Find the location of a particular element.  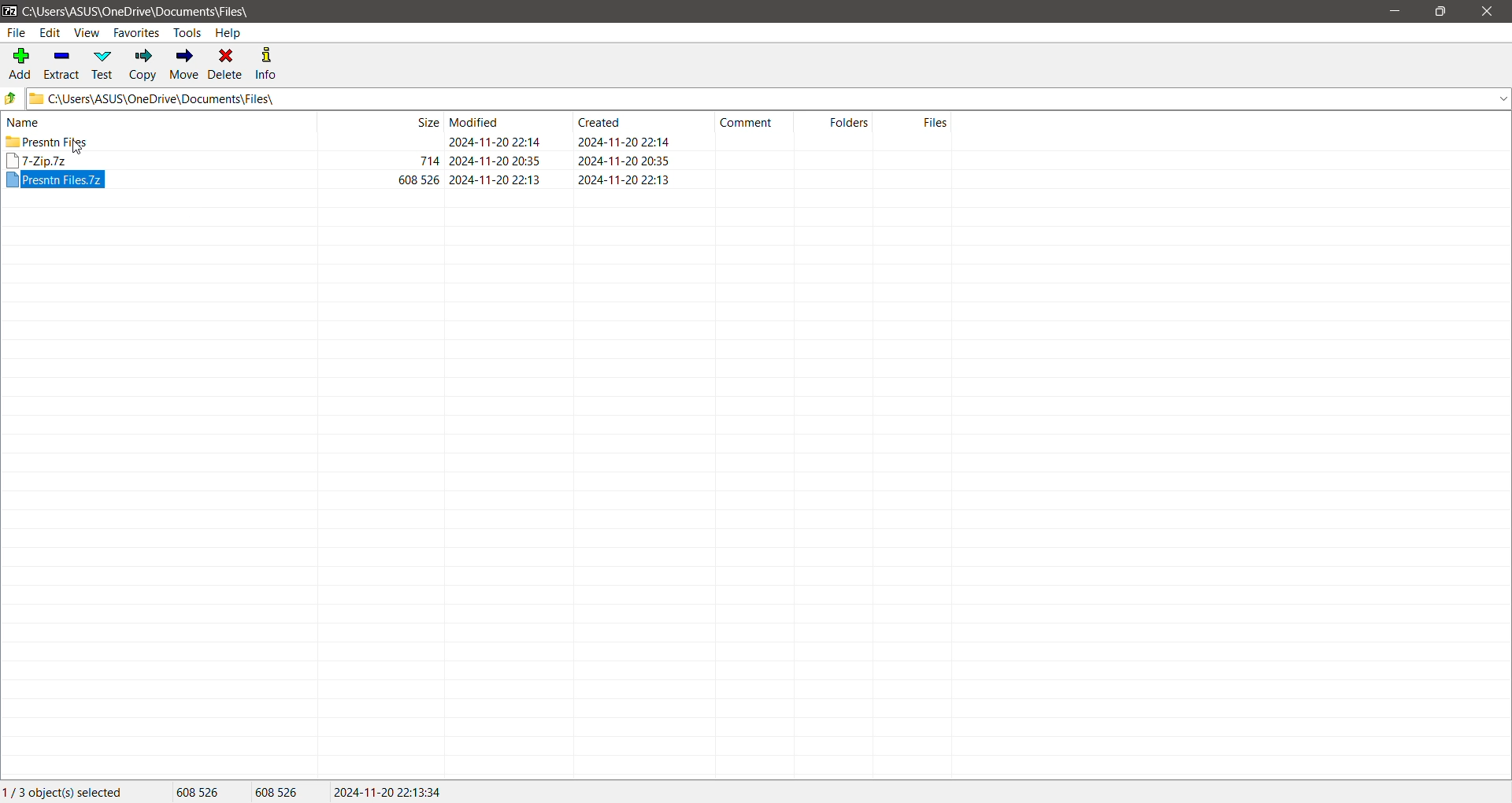

Total size of file(s) selected is located at coordinates (199, 792).